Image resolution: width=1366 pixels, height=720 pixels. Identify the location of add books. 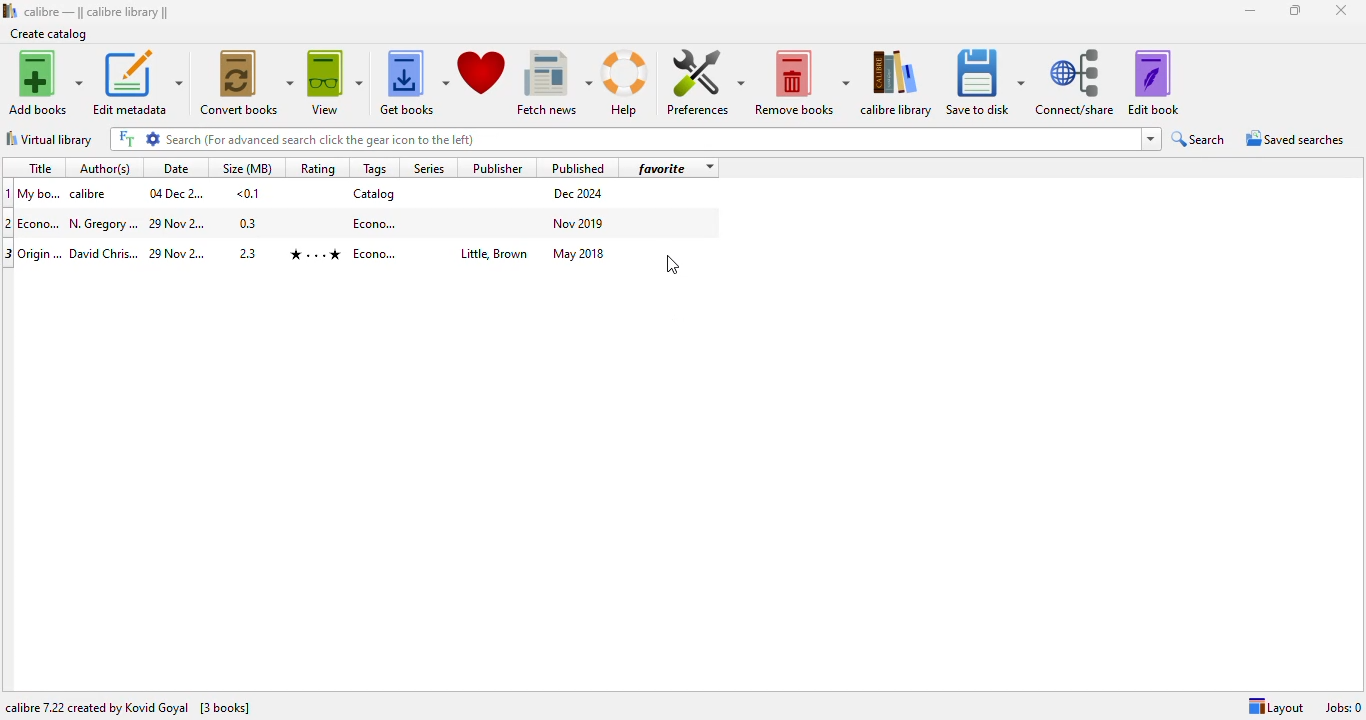
(46, 82).